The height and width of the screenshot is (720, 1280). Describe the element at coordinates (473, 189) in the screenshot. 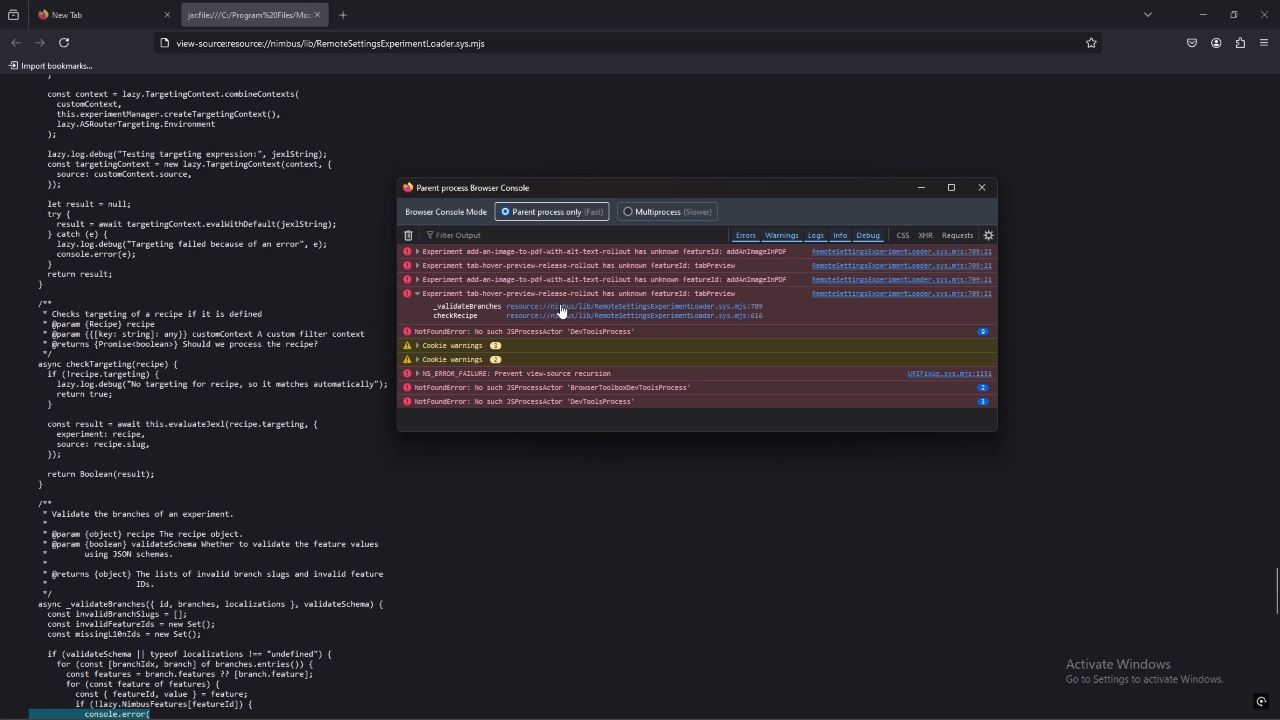

I see `console` at that location.